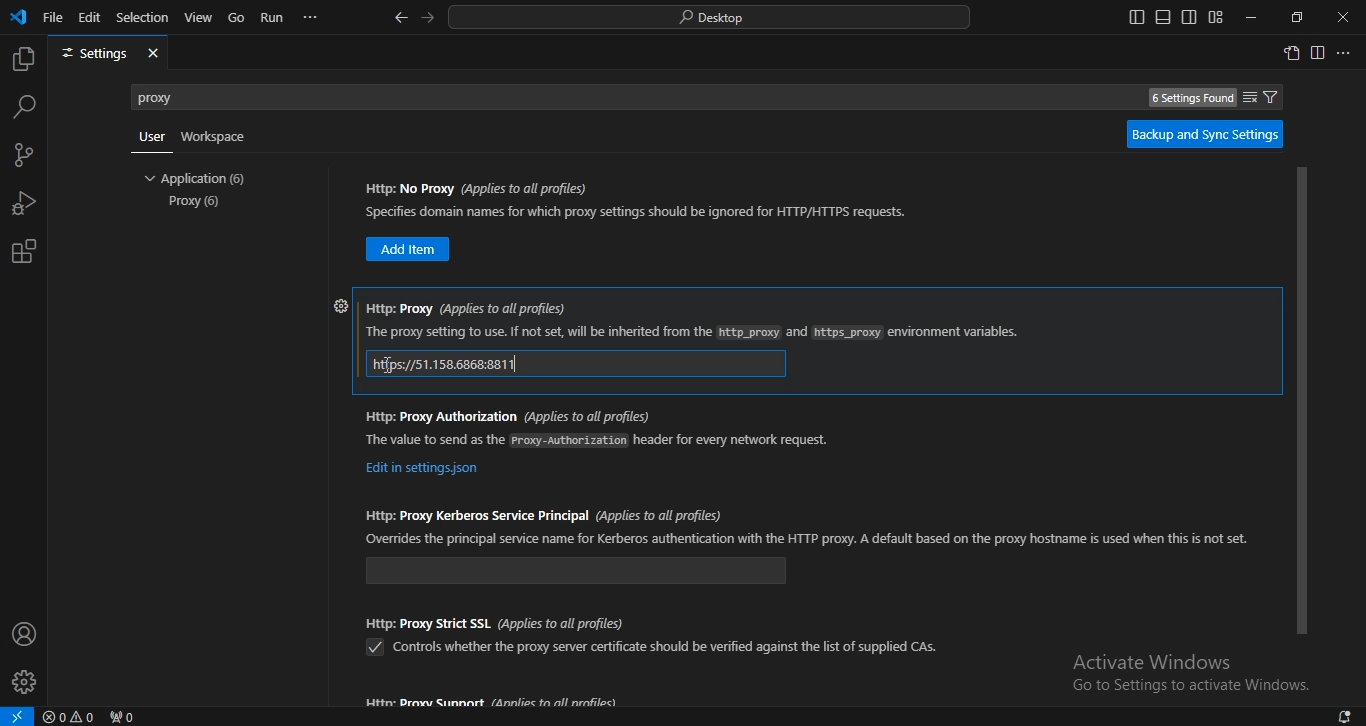 The image size is (1366, 726). I want to click on filter settings, so click(1275, 97).